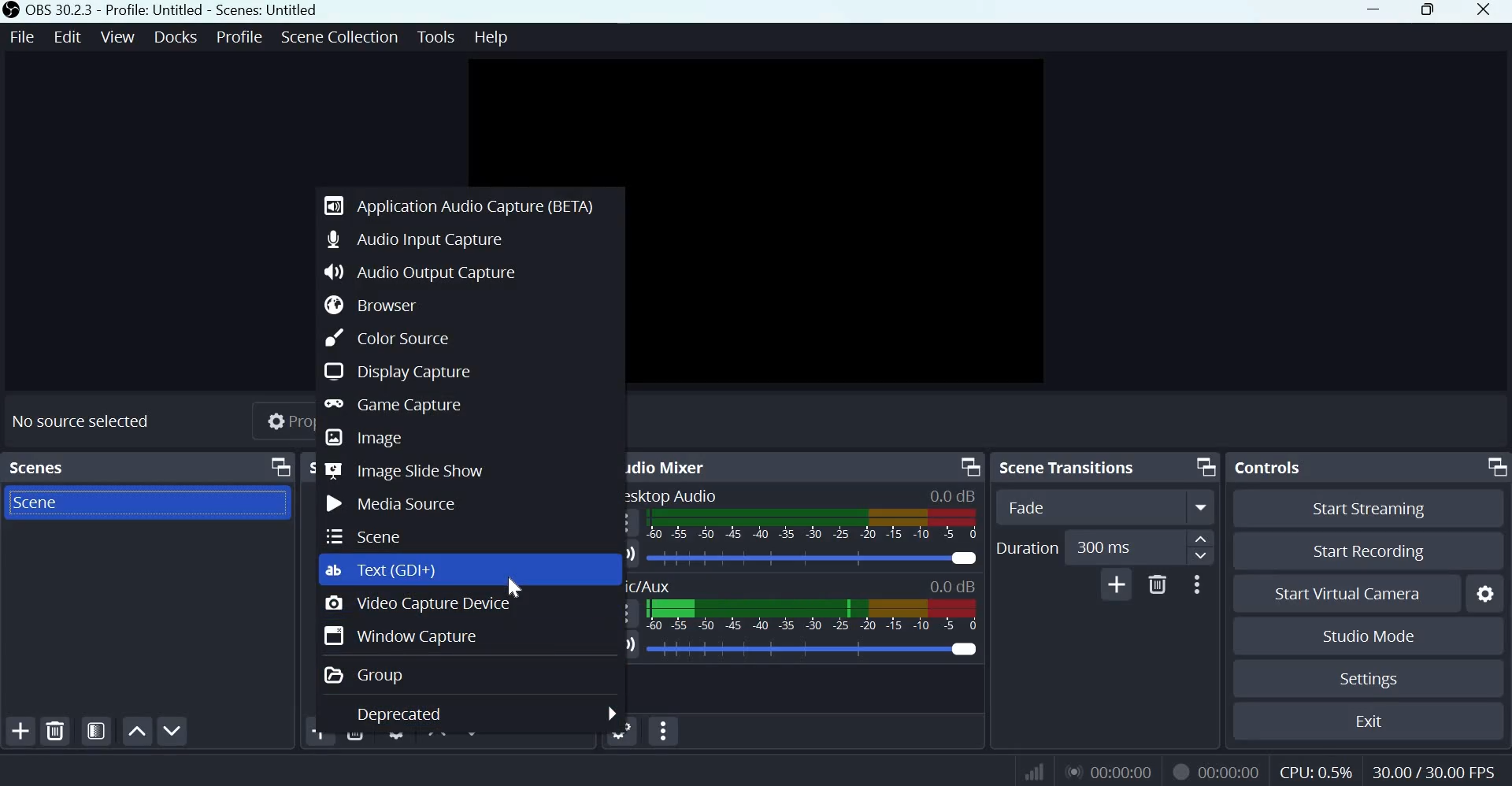 This screenshot has height=786, width=1512. What do you see at coordinates (1202, 507) in the screenshot?
I see `More option` at bounding box center [1202, 507].